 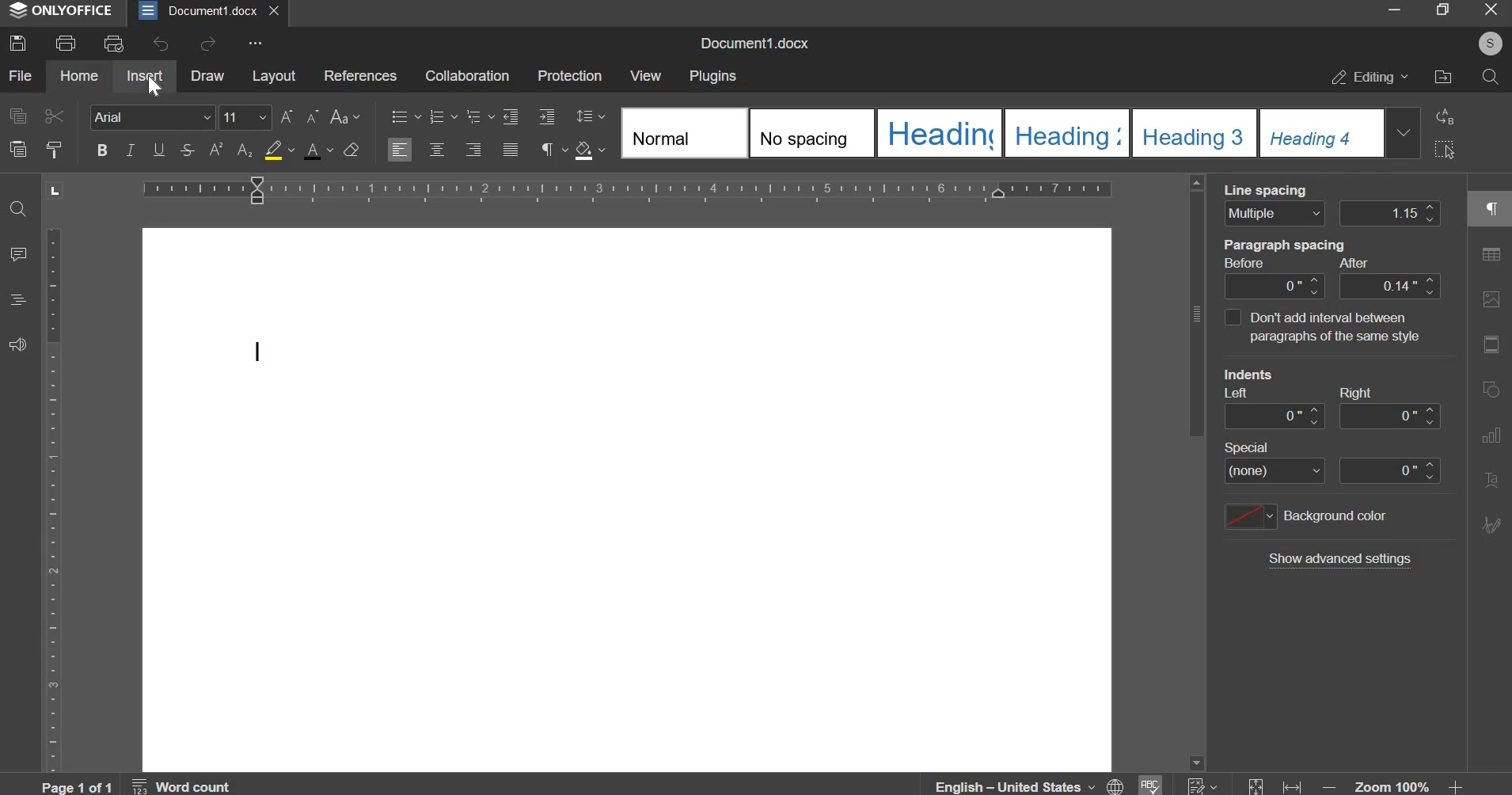 I want to click on layout, so click(x=273, y=75).